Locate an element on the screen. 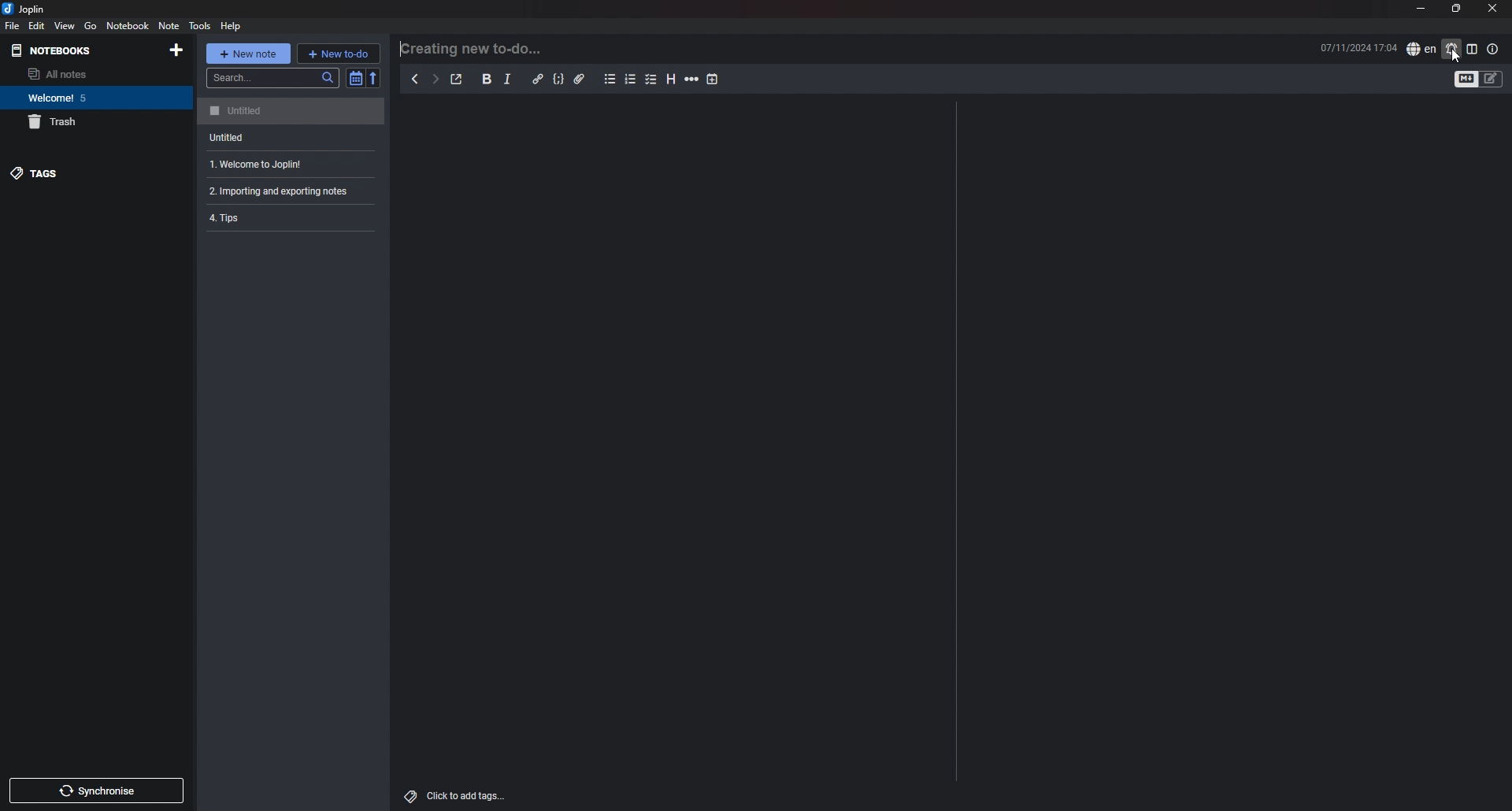  edit is located at coordinates (36, 26).